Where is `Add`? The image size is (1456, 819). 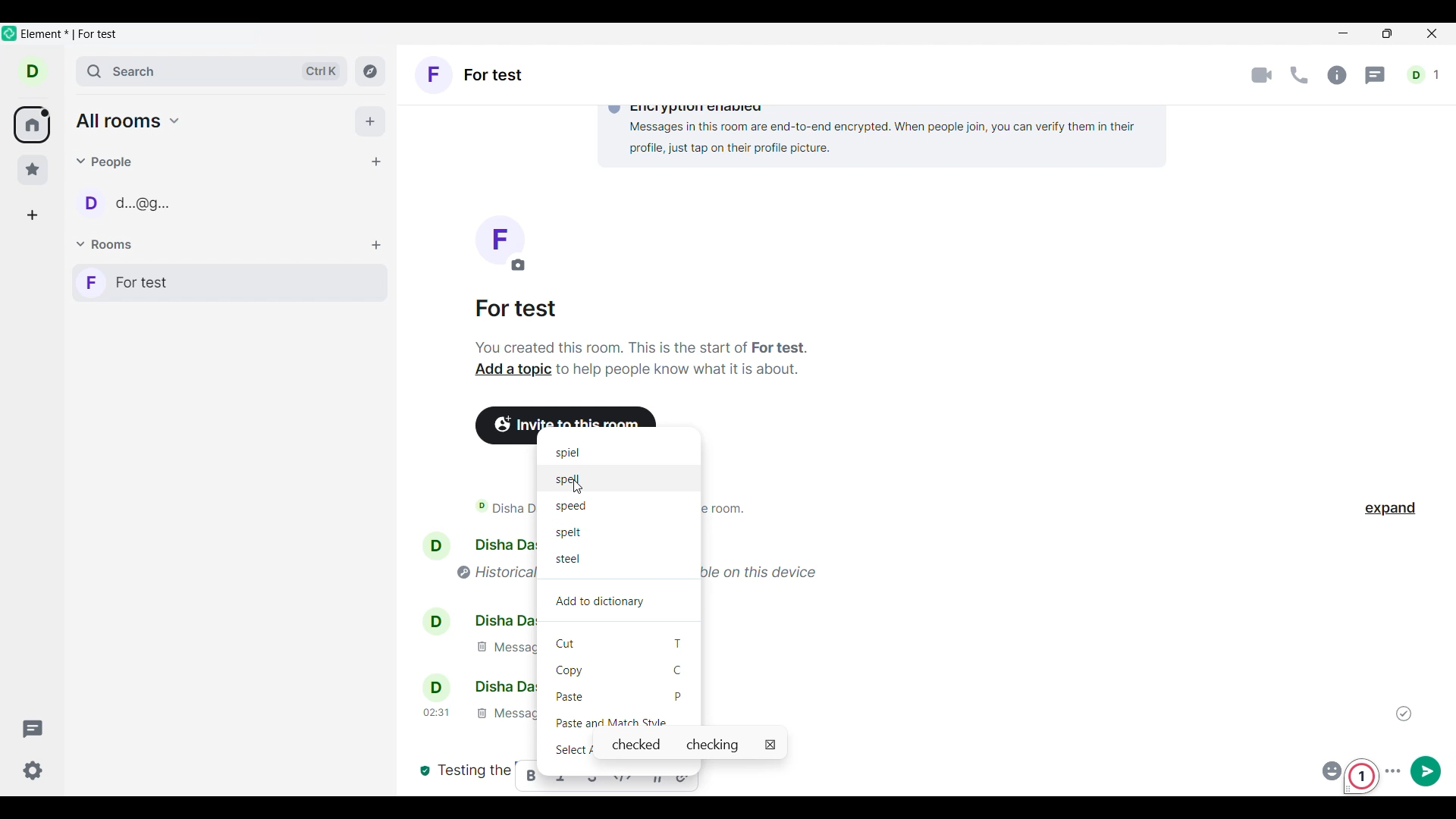
Add is located at coordinates (370, 121).